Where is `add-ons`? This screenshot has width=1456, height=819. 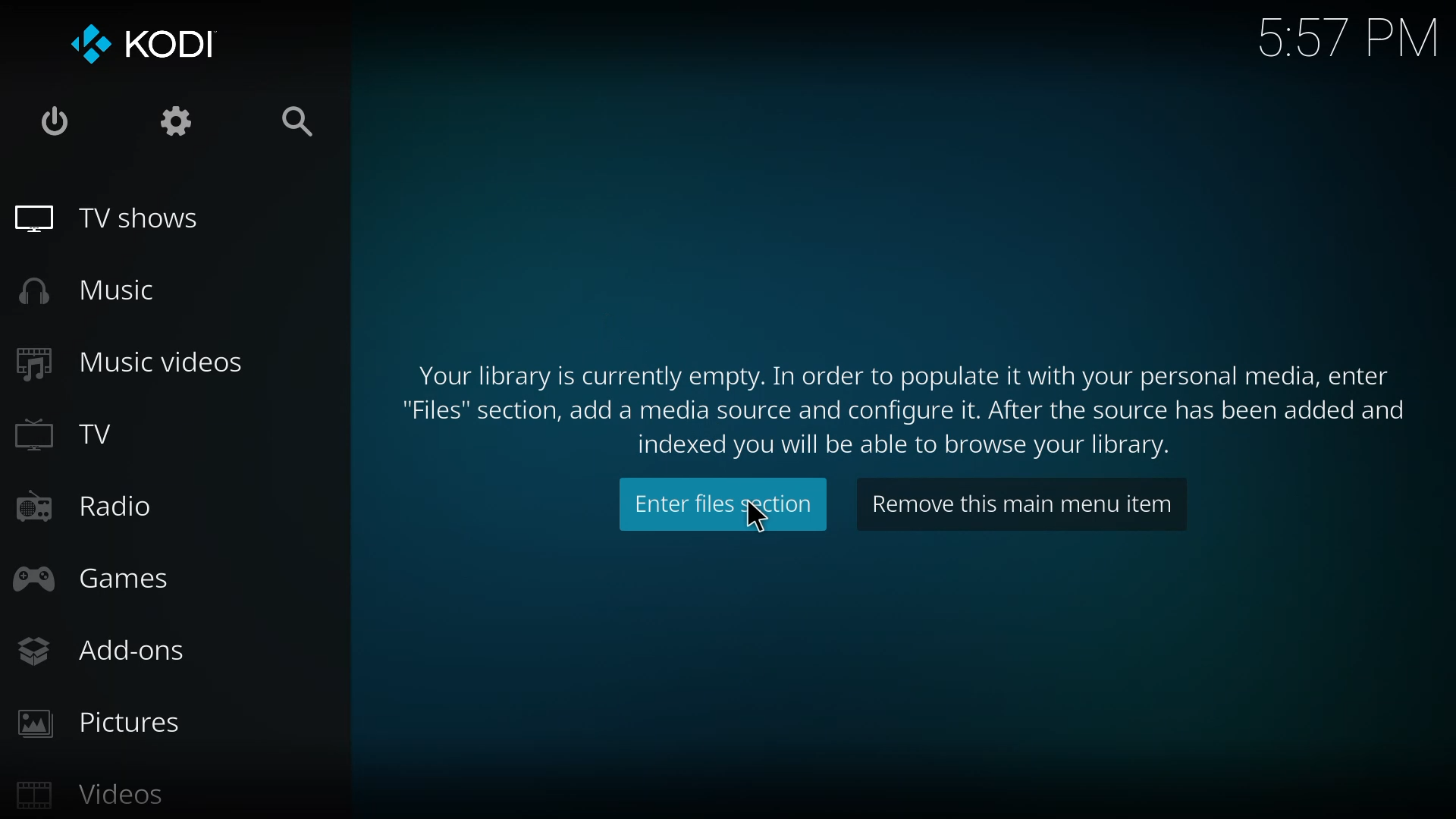
add-ons is located at coordinates (109, 651).